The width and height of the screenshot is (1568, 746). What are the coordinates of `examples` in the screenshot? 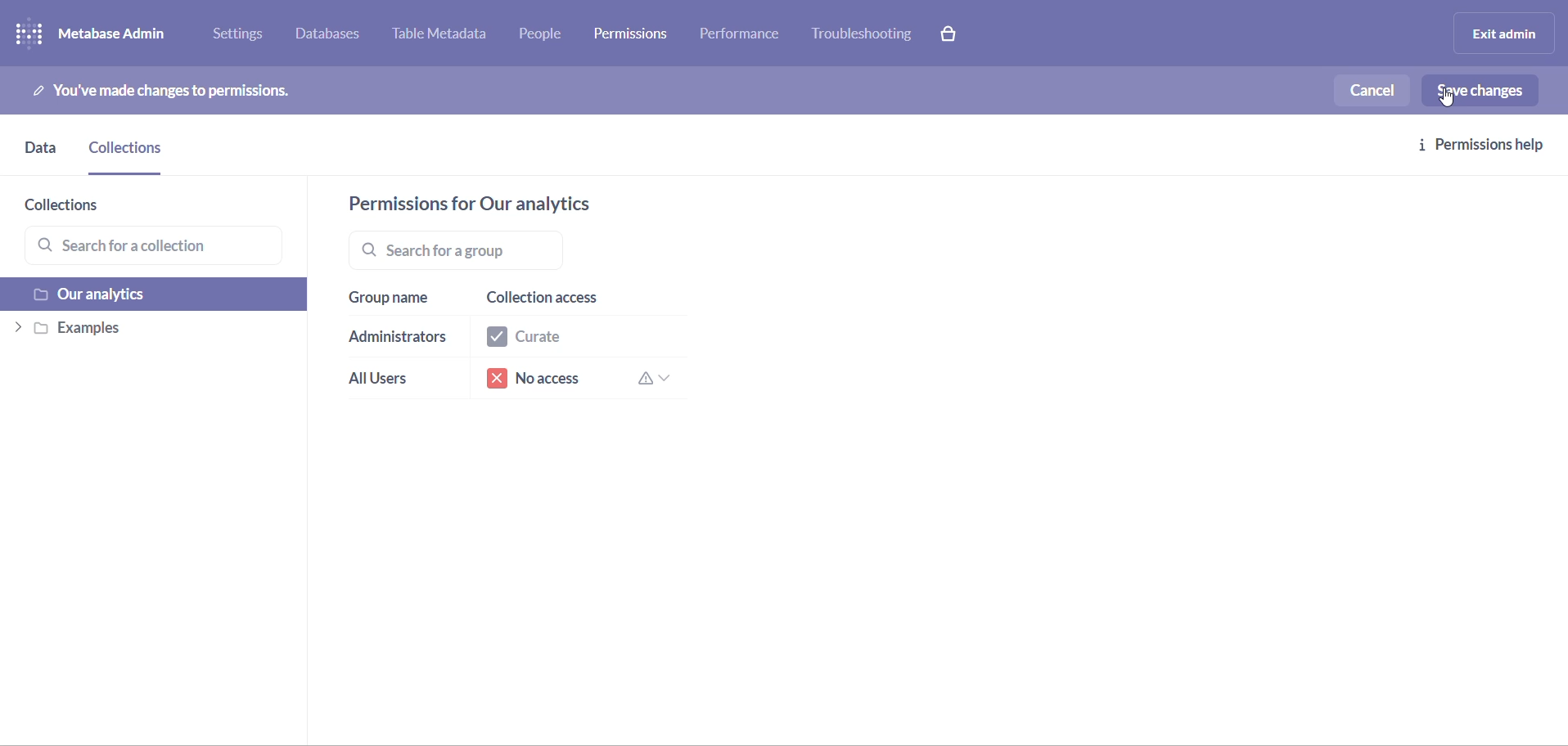 It's located at (141, 330).